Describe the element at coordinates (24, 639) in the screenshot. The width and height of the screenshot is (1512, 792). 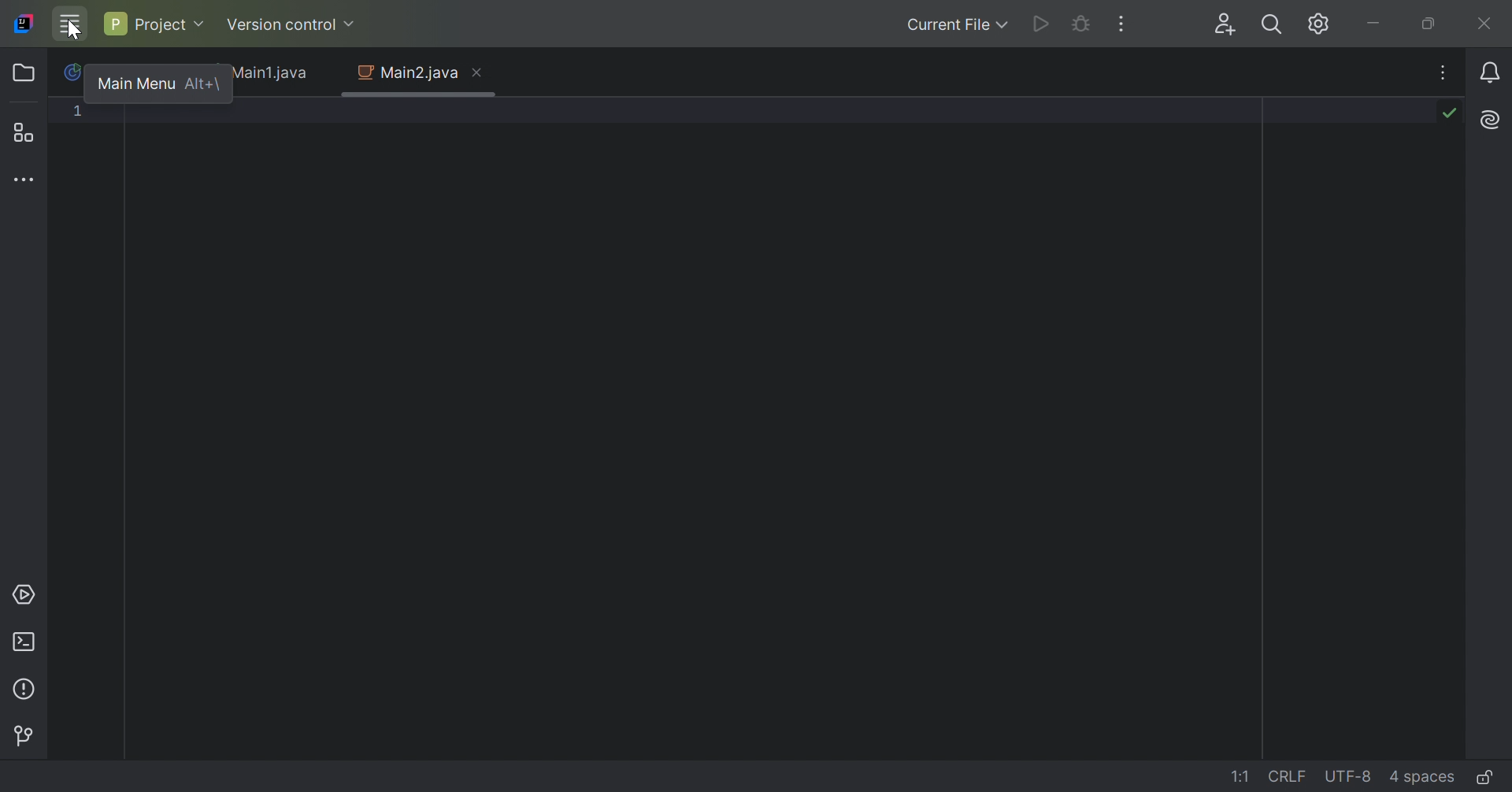
I see `Terminal` at that location.